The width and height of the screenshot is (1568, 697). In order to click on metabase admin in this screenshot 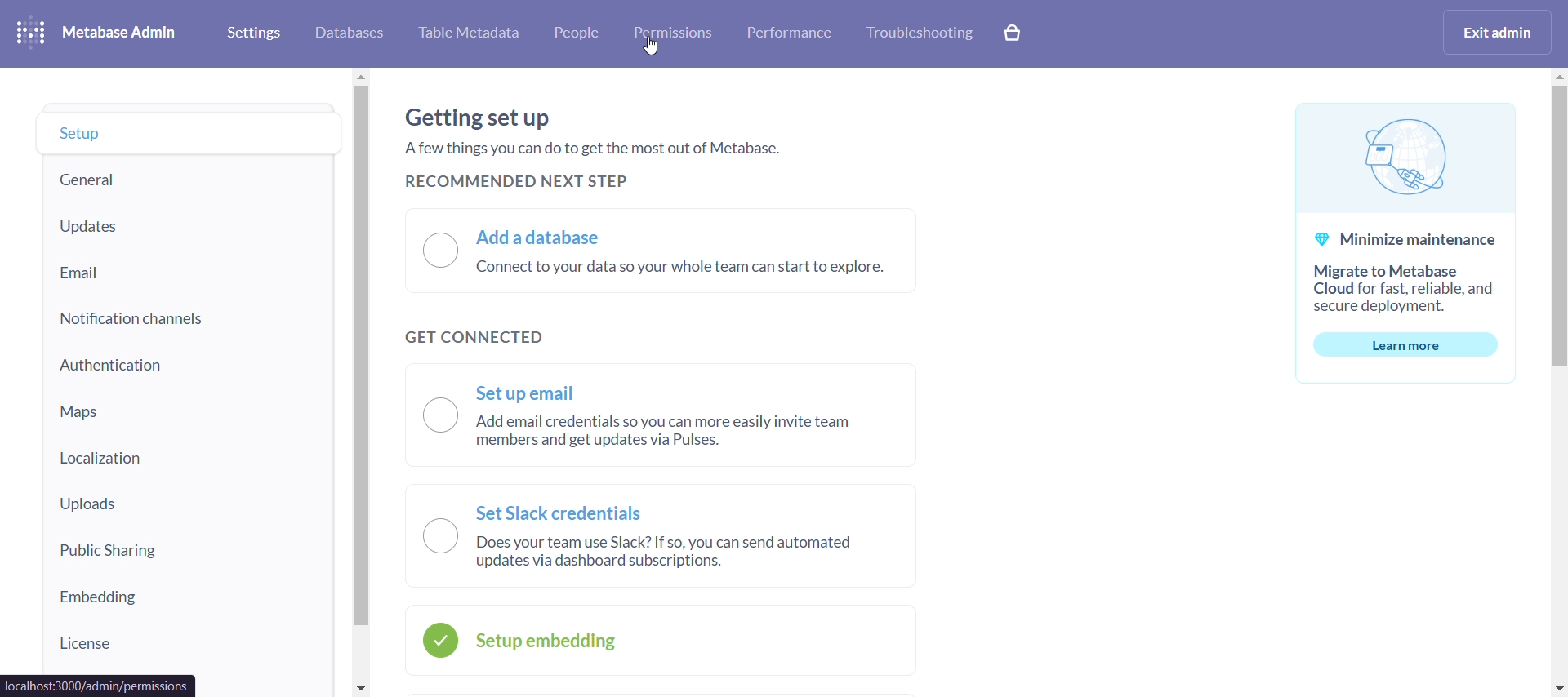, I will do `click(124, 31)`.